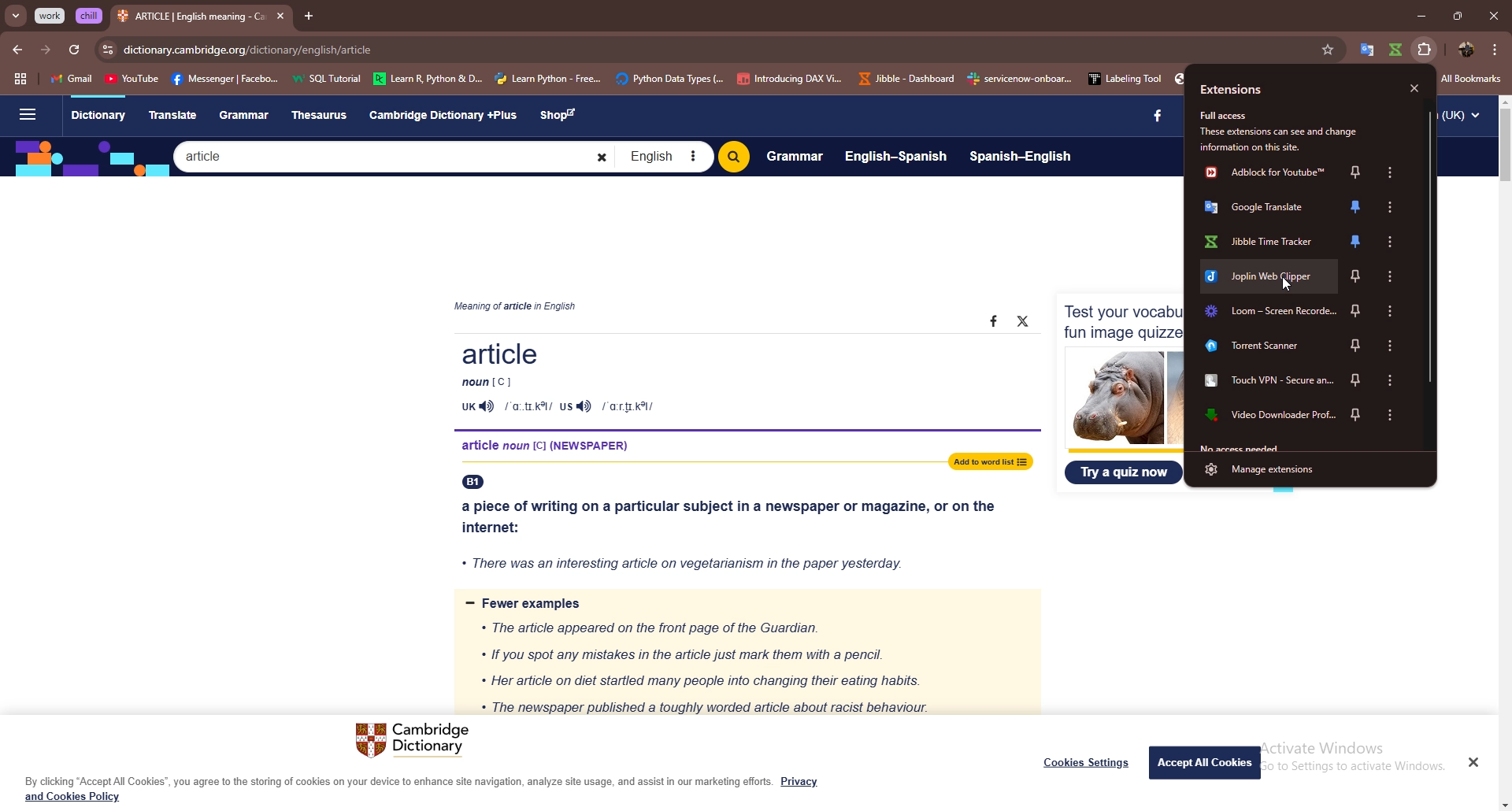  What do you see at coordinates (1467, 50) in the screenshot?
I see `profile` at bounding box center [1467, 50].